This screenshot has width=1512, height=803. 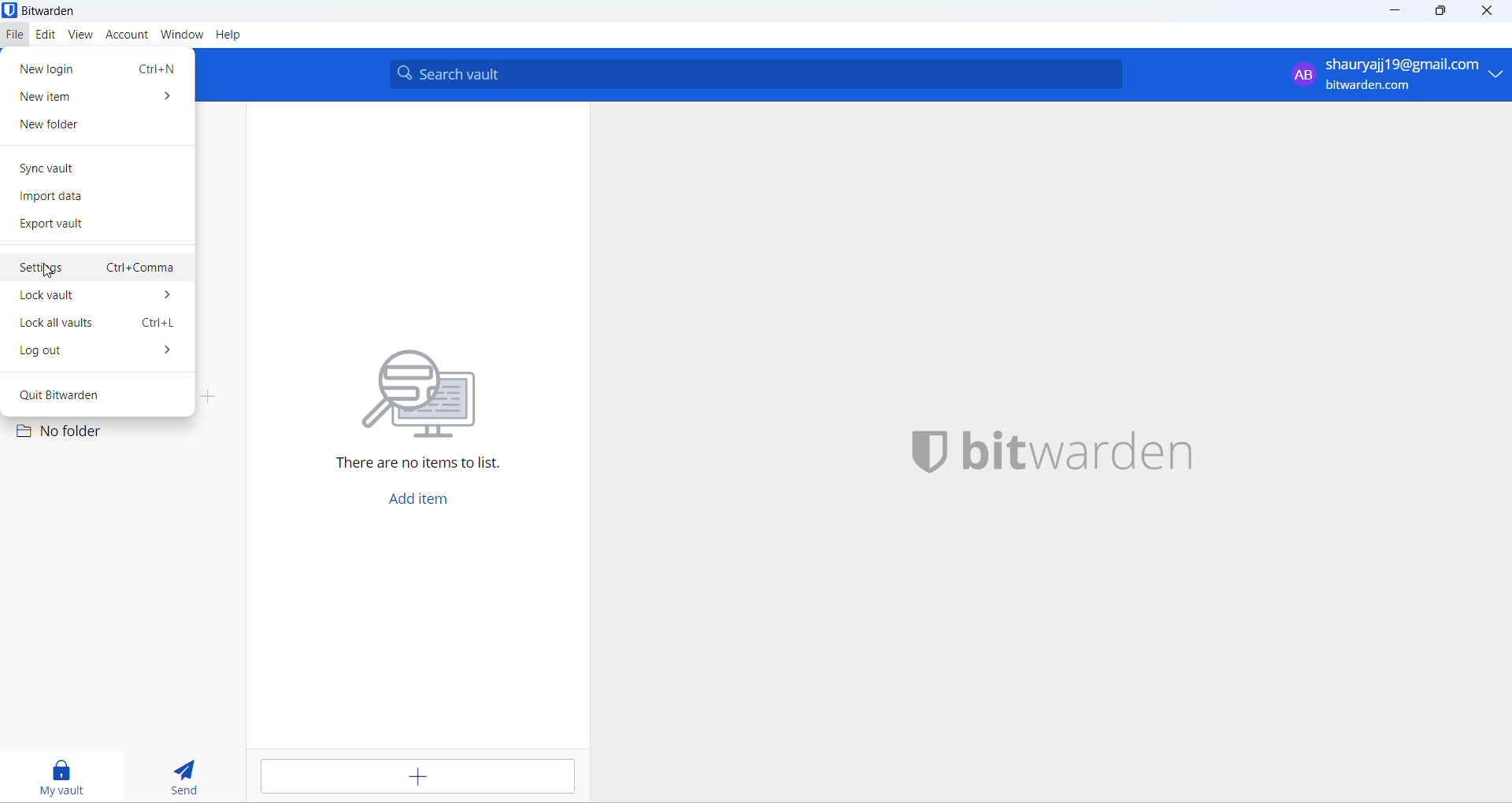 I want to click on lock vault, so click(x=93, y=298).